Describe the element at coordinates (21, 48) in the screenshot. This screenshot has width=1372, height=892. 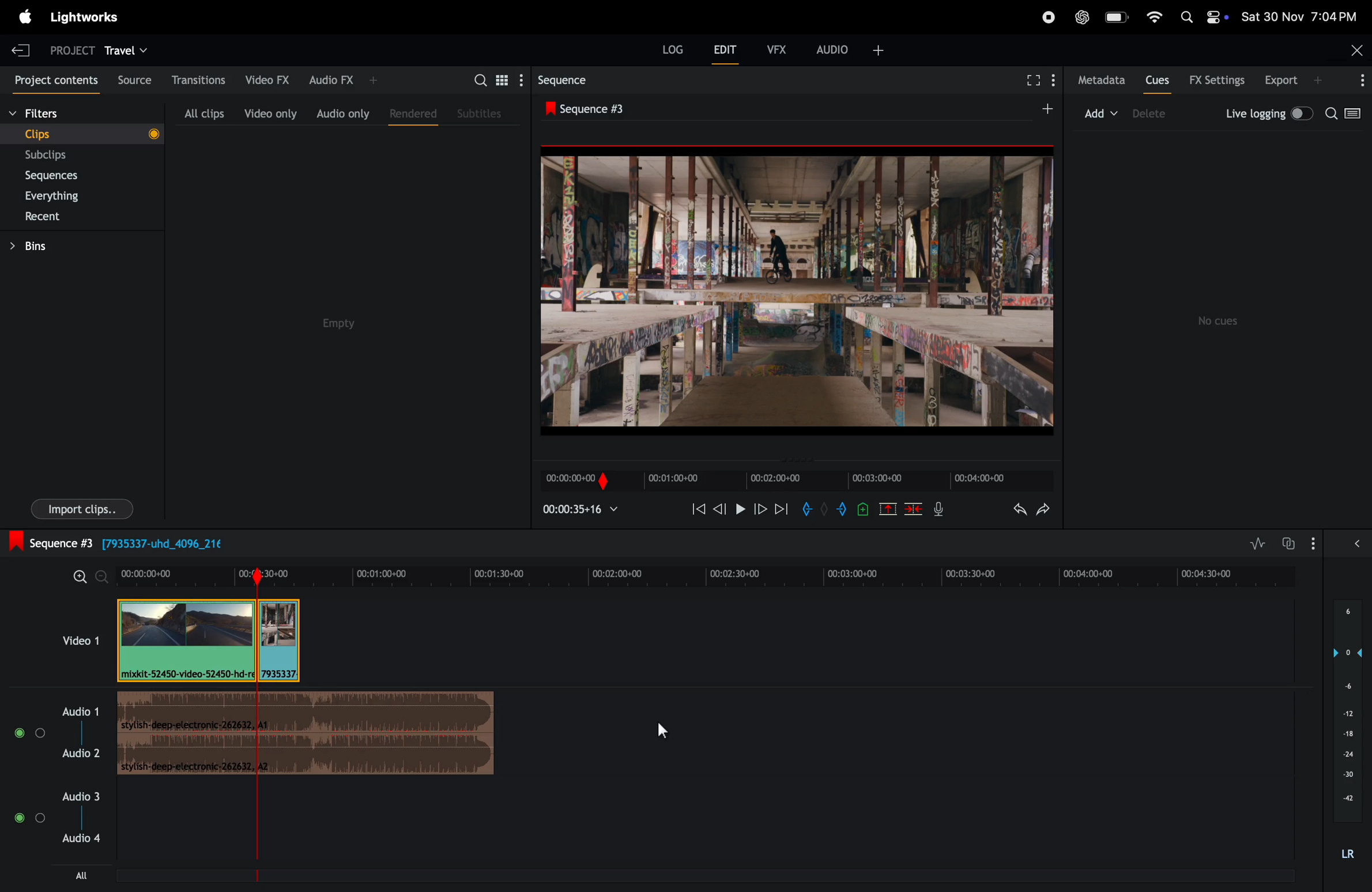
I see `exit` at that location.